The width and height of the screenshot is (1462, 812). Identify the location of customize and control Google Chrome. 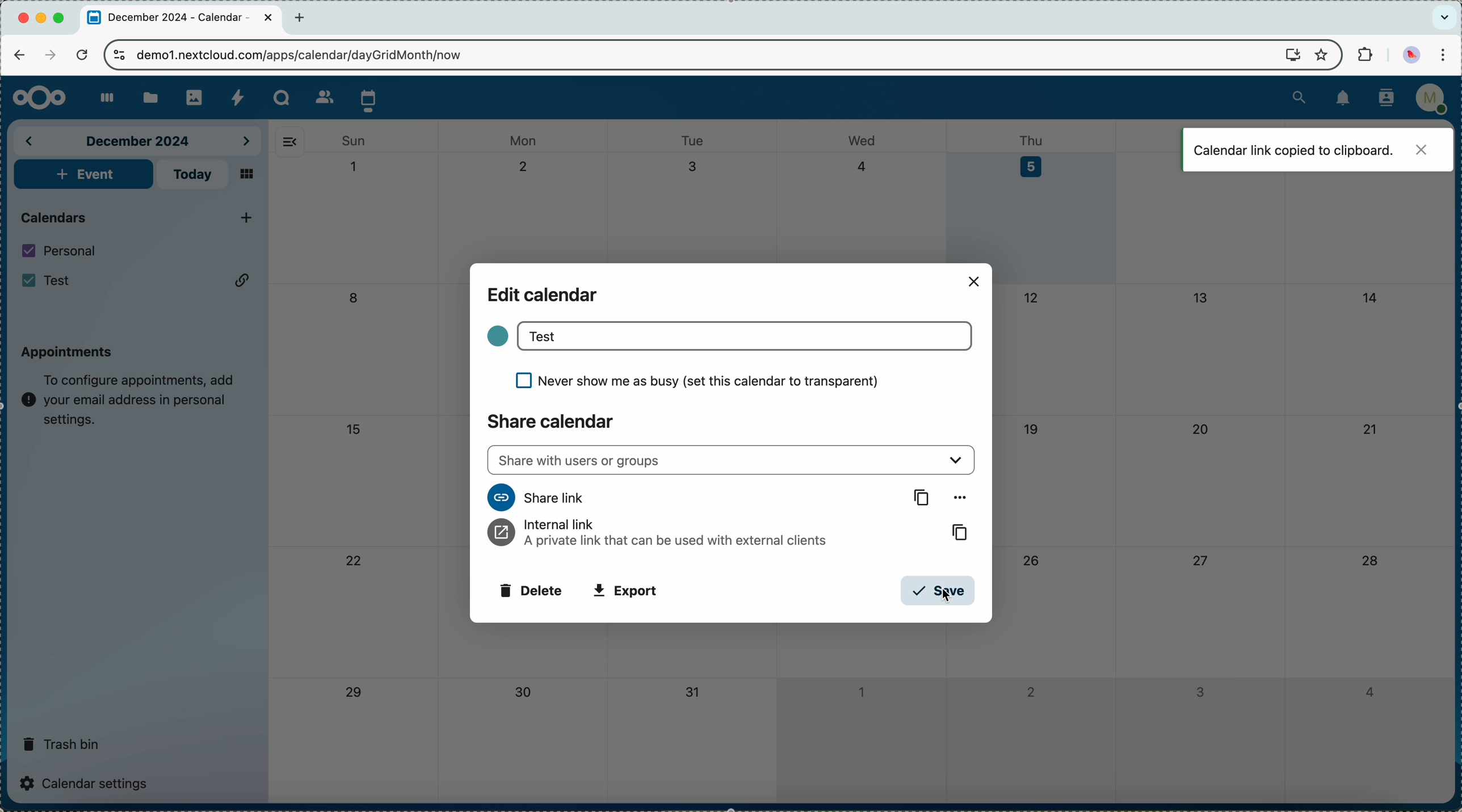
(1447, 56).